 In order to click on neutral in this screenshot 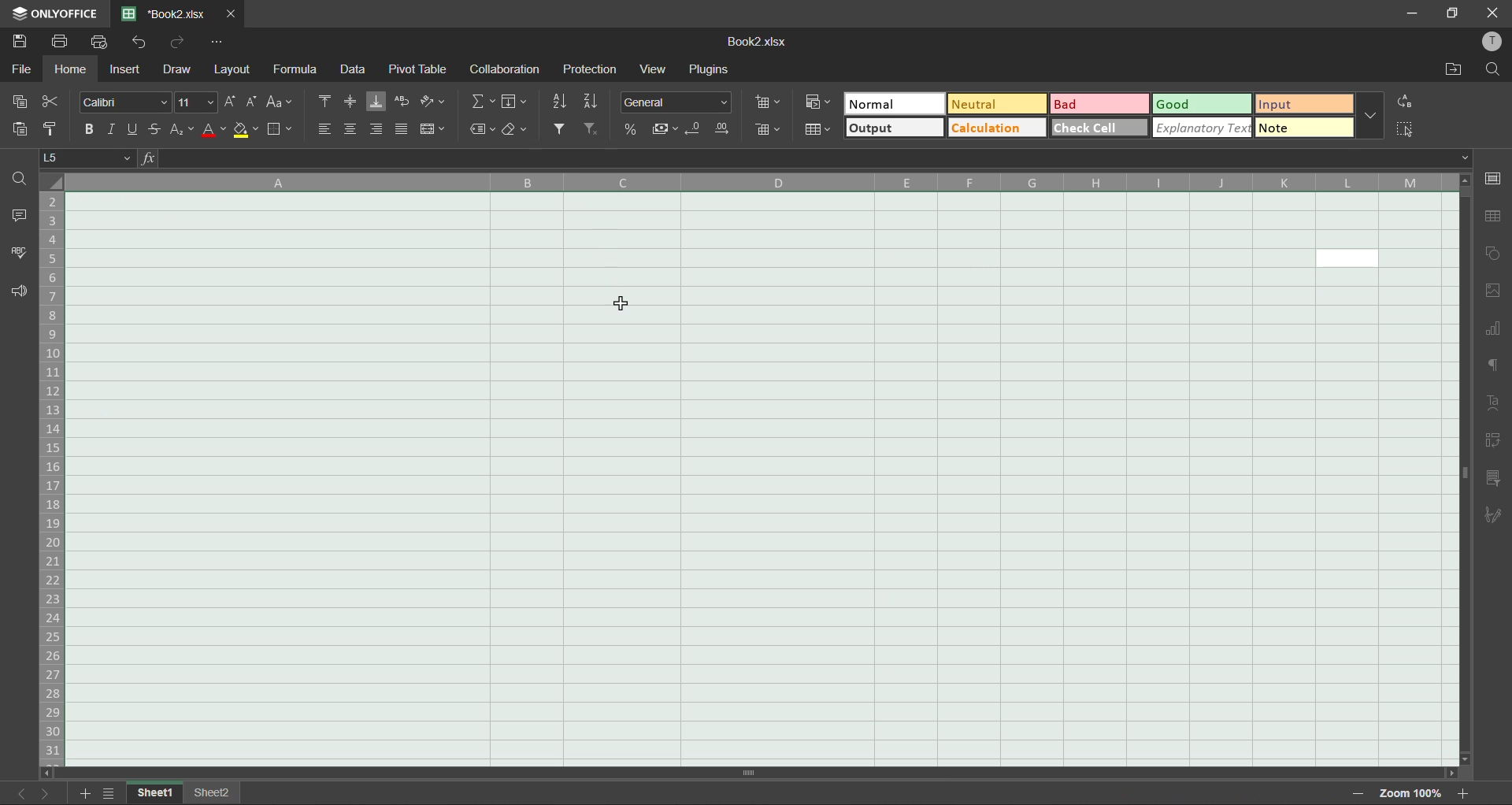, I will do `click(999, 105)`.